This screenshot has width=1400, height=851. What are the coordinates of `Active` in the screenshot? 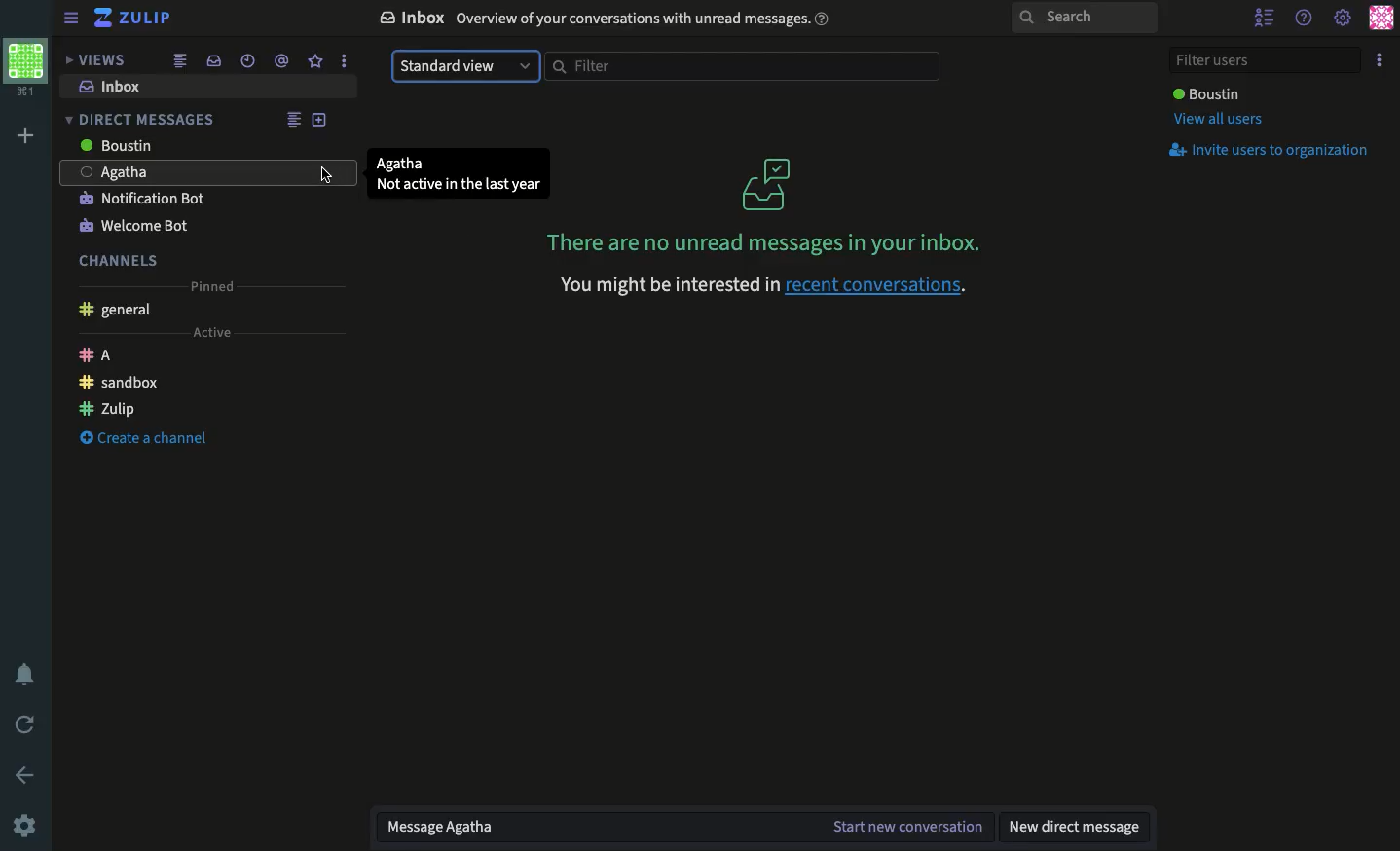 It's located at (209, 332).